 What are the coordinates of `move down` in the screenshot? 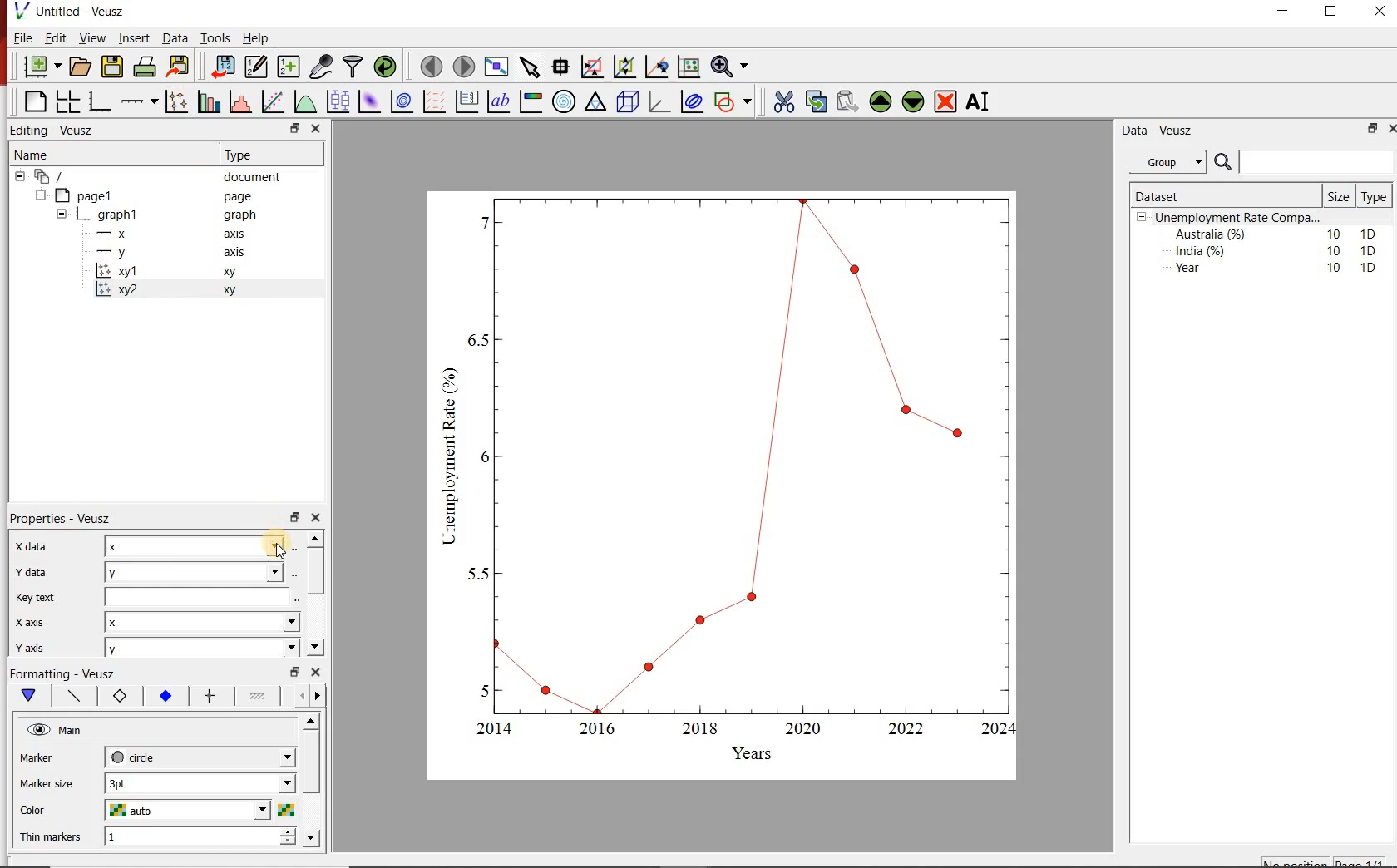 It's located at (311, 838).